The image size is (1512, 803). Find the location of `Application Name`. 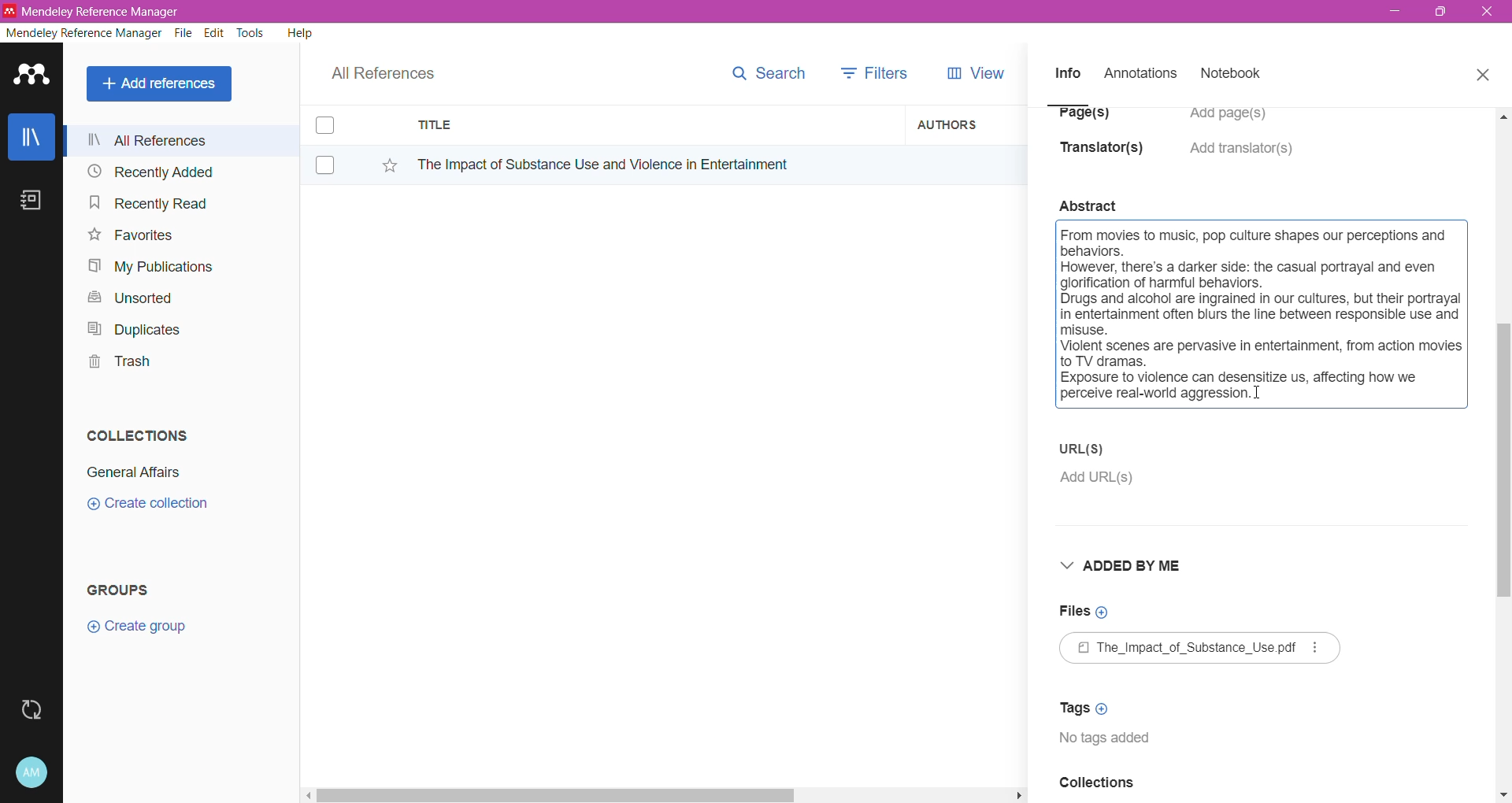

Application Name is located at coordinates (94, 11).